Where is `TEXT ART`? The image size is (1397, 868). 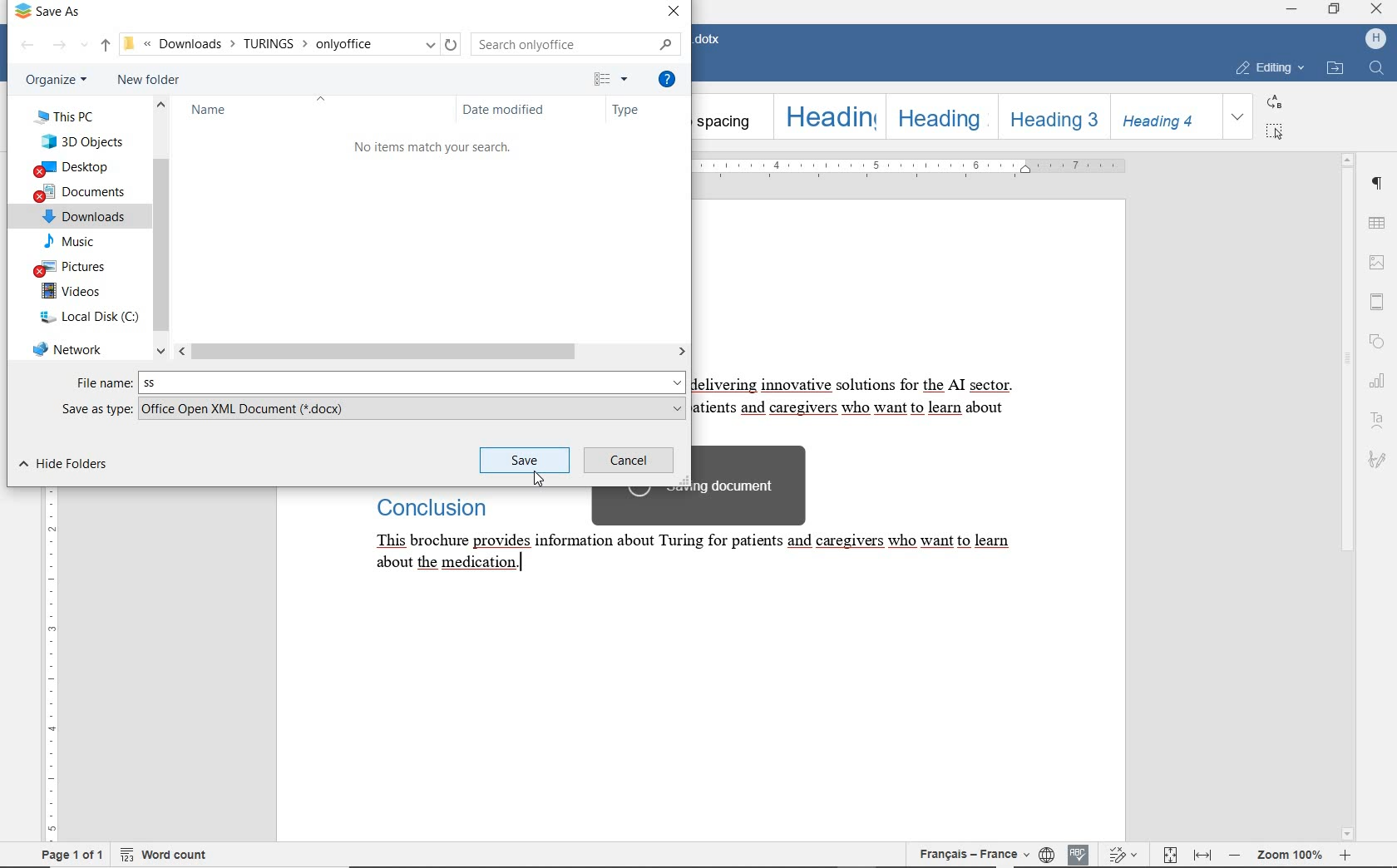
TEXT ART is located at coordinates (1379, 418).